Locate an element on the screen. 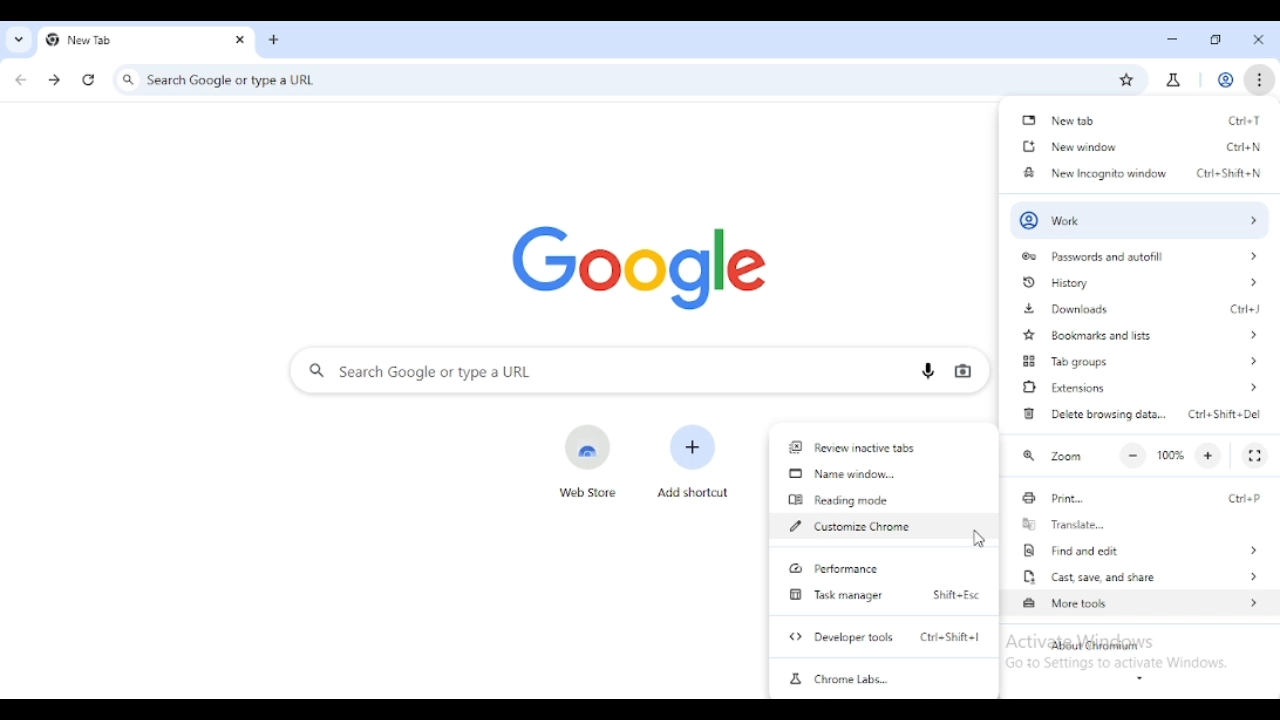 Image resolution: width=1280 pixels, height=720 pixels. performance is located at coordinates (832, 568).